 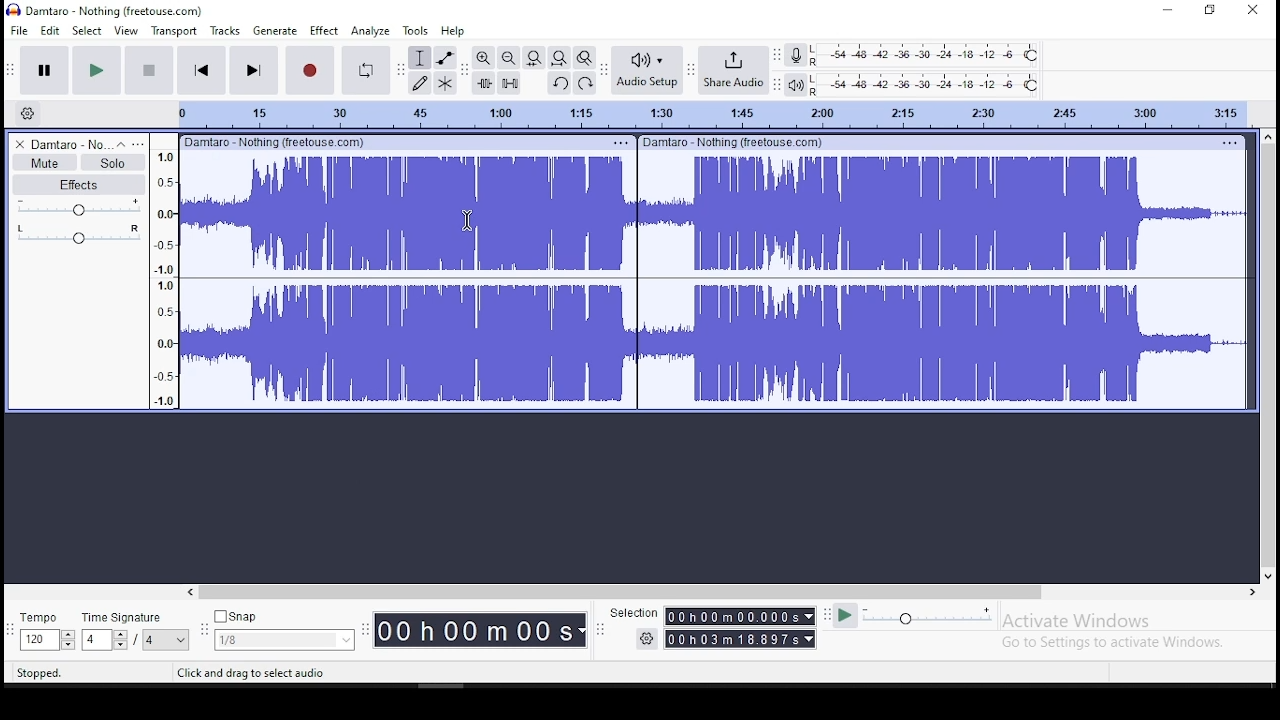 What do you see at coordinates (509, 57) in the screenshot?
I see `zoom out` at bounding box center [509, 57].